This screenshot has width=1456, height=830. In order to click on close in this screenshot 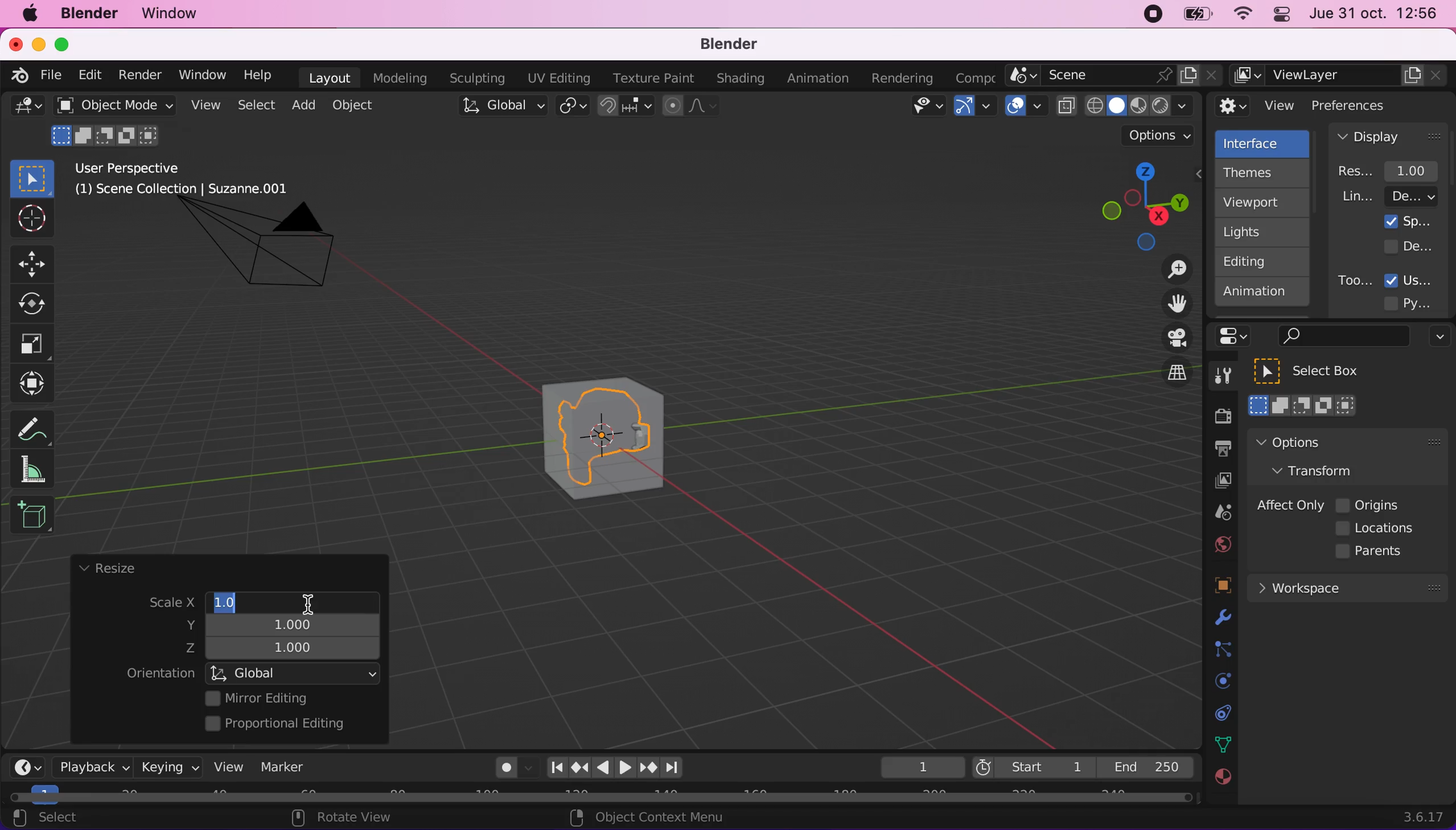, I will do `click(15, 43)`.